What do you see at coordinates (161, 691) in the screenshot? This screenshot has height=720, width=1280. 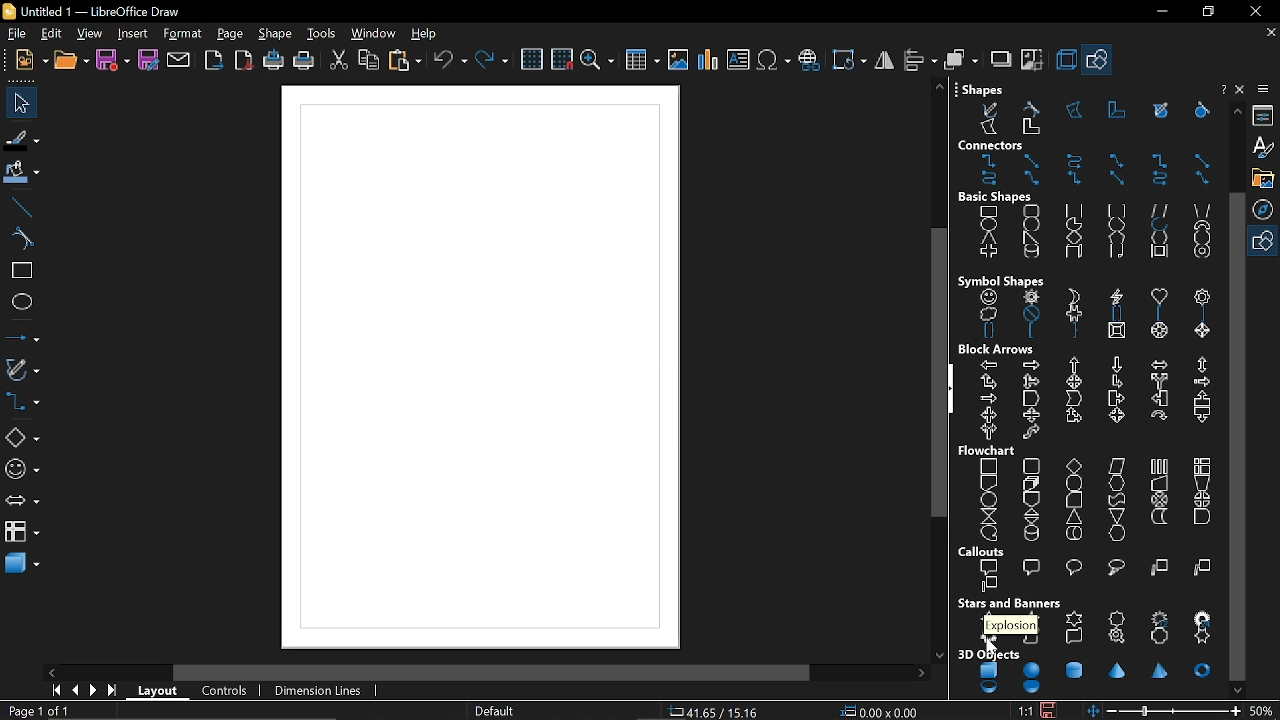 I see `Layout` at bounding box center [161, 691].